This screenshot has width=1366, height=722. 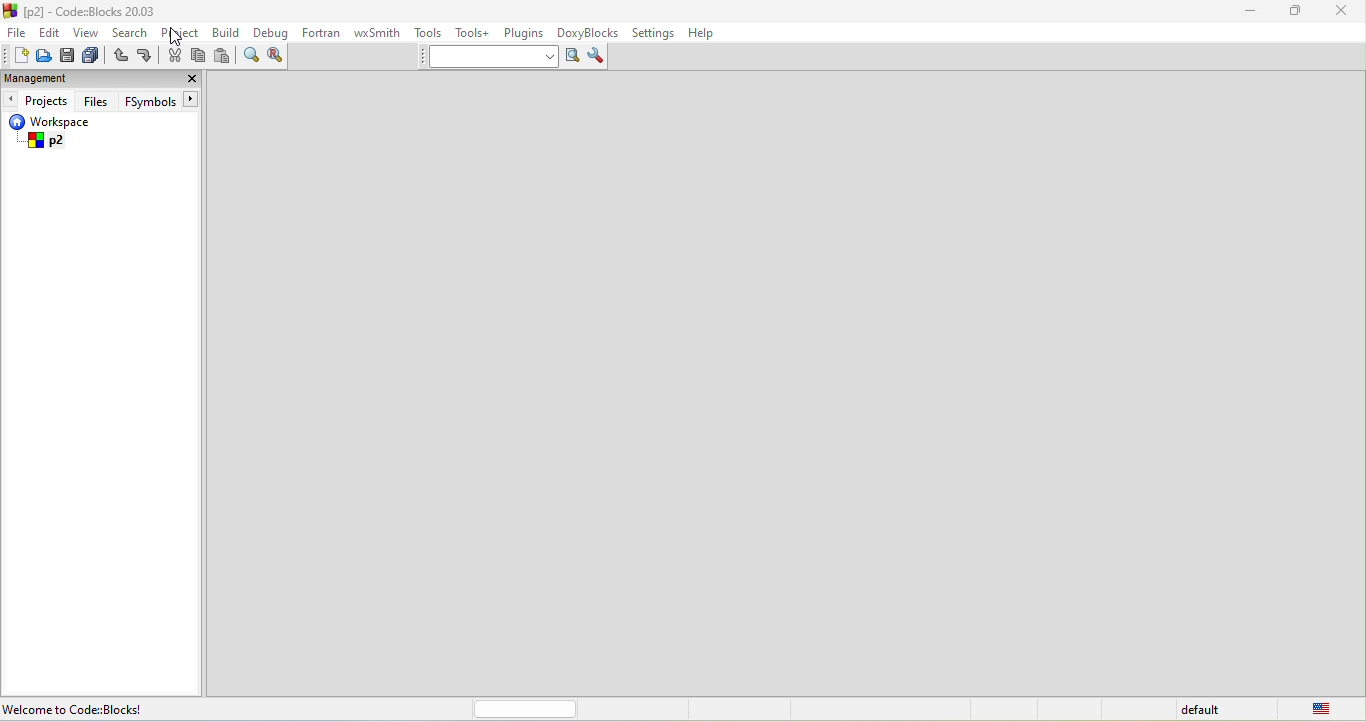 I want to click on help, so click(x=710, y=34).